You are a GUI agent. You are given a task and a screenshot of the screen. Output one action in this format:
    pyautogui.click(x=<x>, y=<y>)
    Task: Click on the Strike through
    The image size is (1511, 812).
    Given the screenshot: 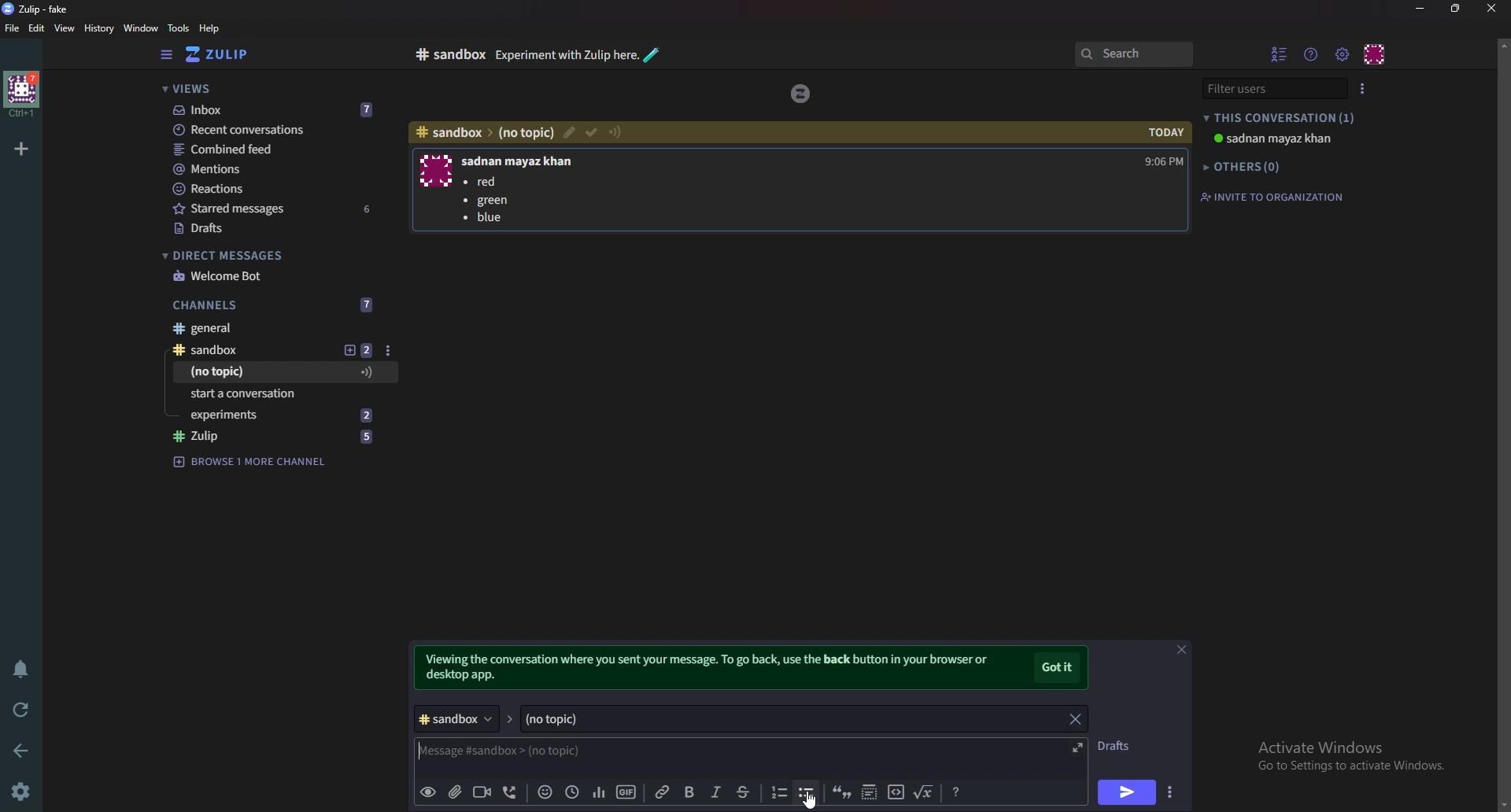 What is the action you would take?
    pyautogui.click(x=743, y=792)
    